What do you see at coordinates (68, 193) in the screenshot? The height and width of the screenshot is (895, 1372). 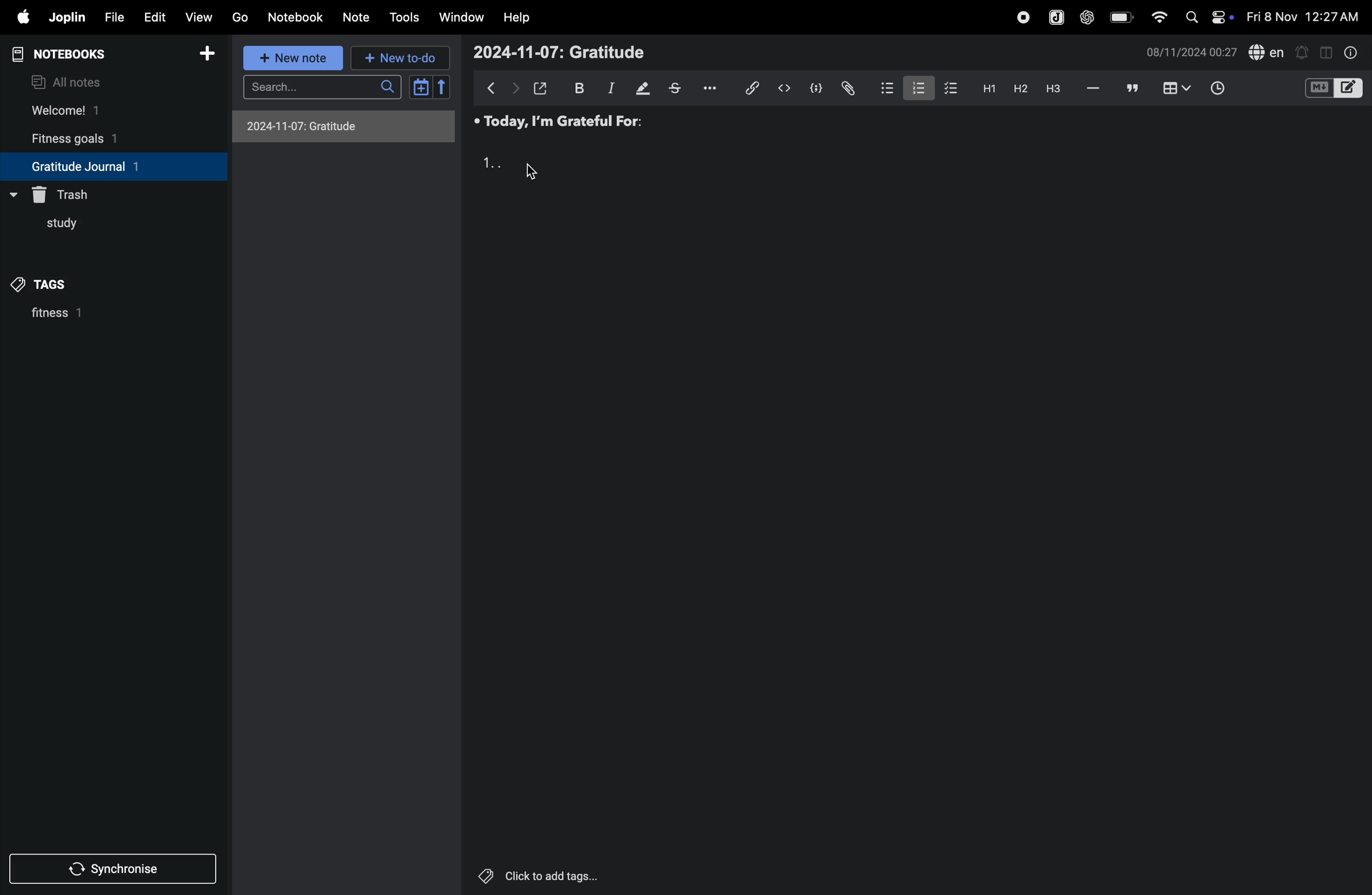 I see `trash` at bounding box center [68, 193].